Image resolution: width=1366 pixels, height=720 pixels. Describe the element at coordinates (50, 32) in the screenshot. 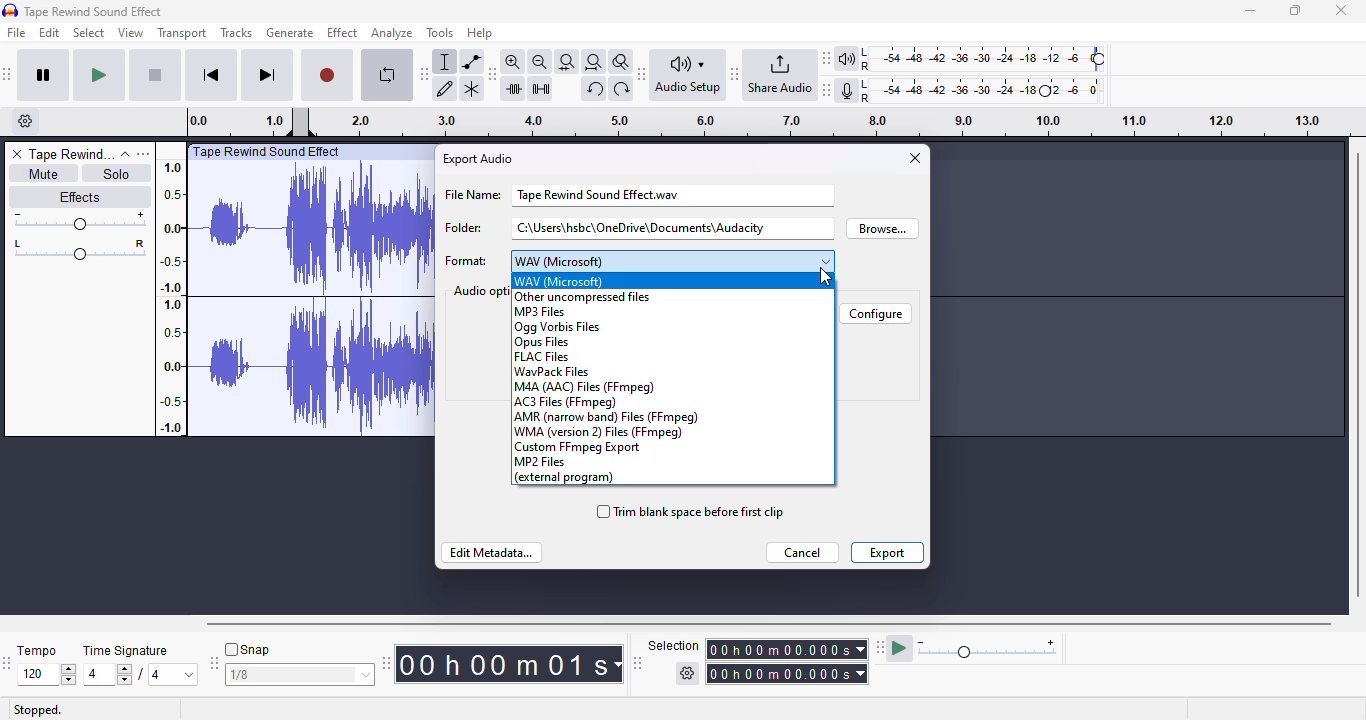

I see `edit` at that location.